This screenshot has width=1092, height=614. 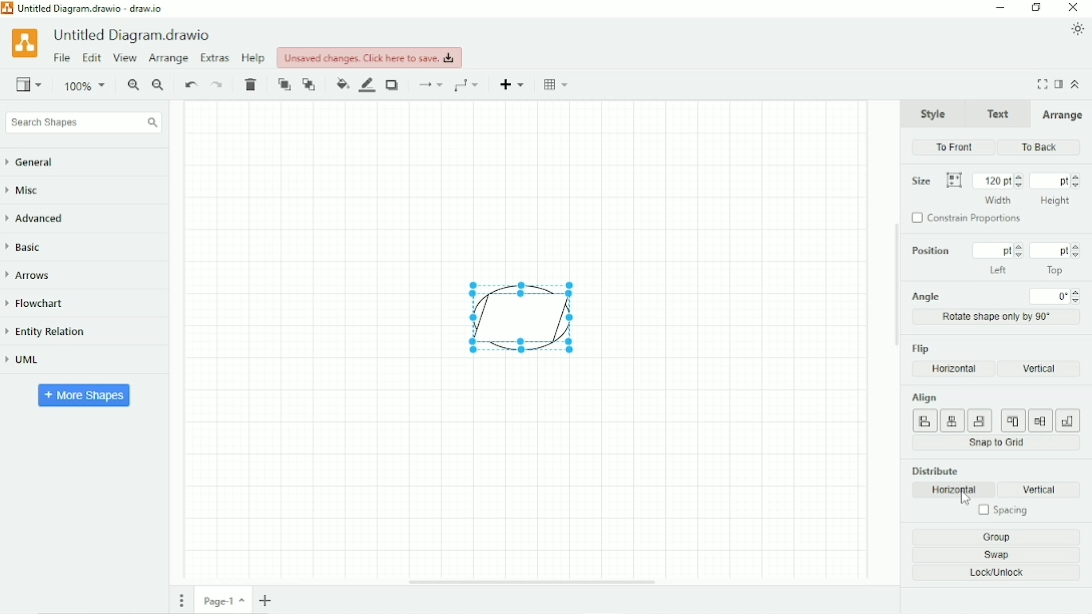 I want to click on Snap to grid, so click(x=997, y=443).